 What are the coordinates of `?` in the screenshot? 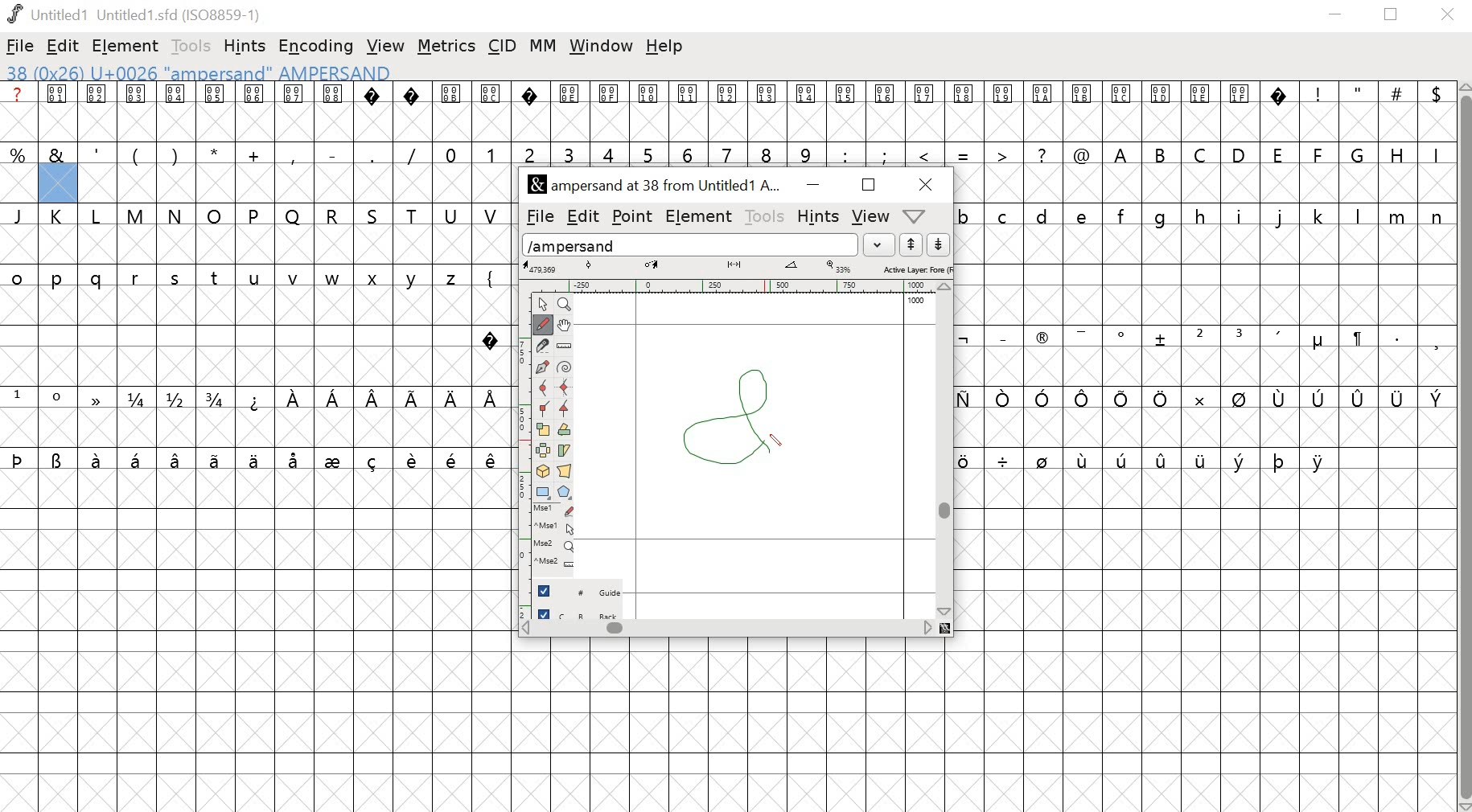 It's located at (1281, 112).